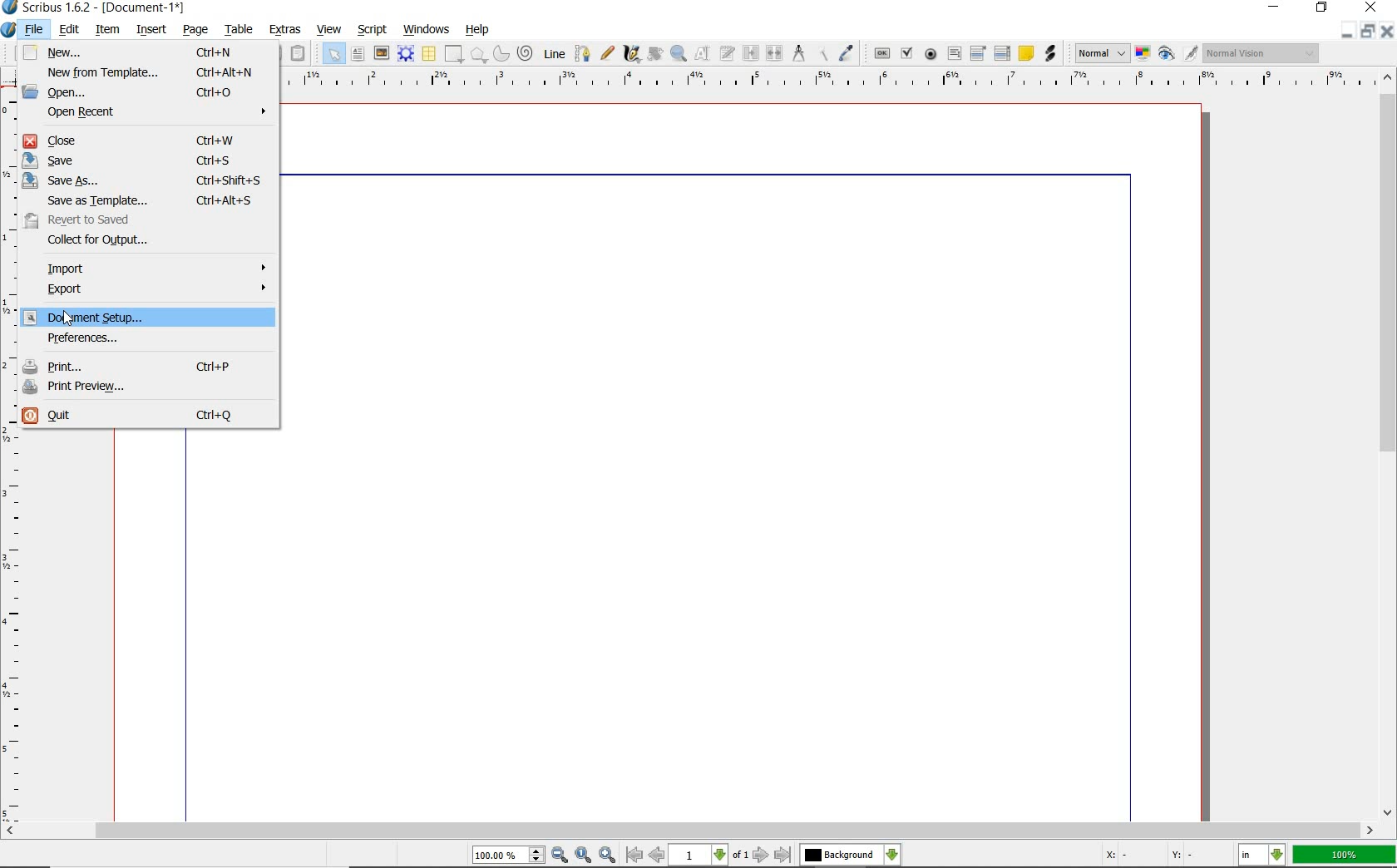  Describe the element at coordinates (1049, 54) in the screenshot. I see `link annotation` at that location.